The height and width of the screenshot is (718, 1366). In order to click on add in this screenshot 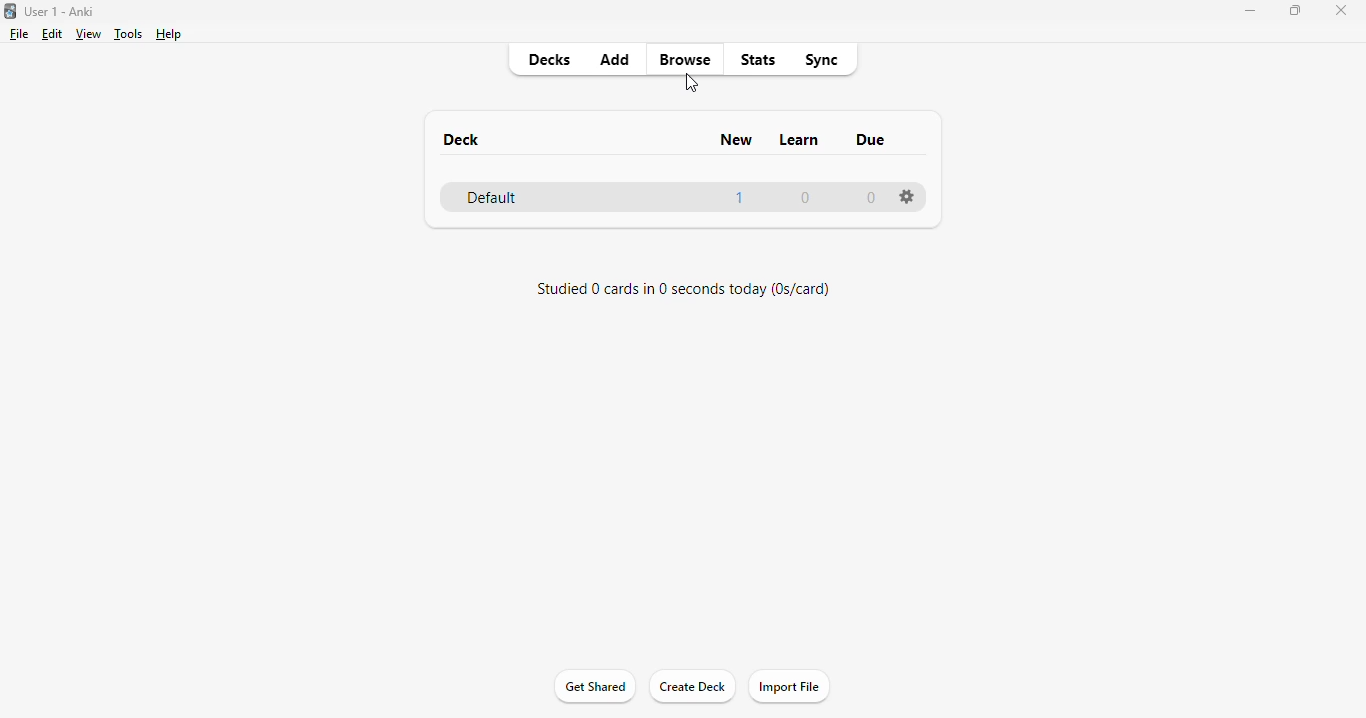, I will do `click(615, 58)`.